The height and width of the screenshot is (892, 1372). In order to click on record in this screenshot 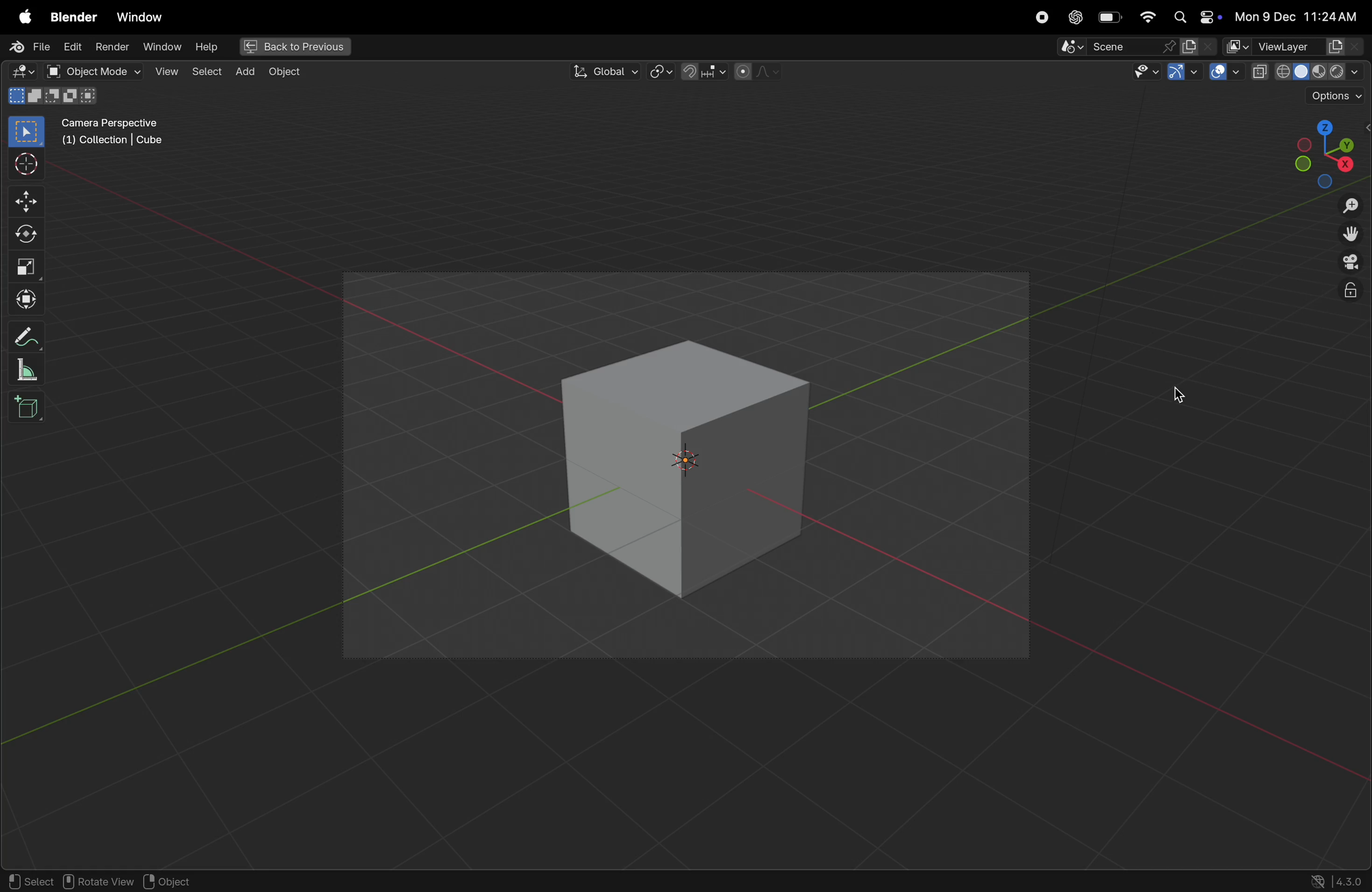, I will do `click(1038, 17)`.